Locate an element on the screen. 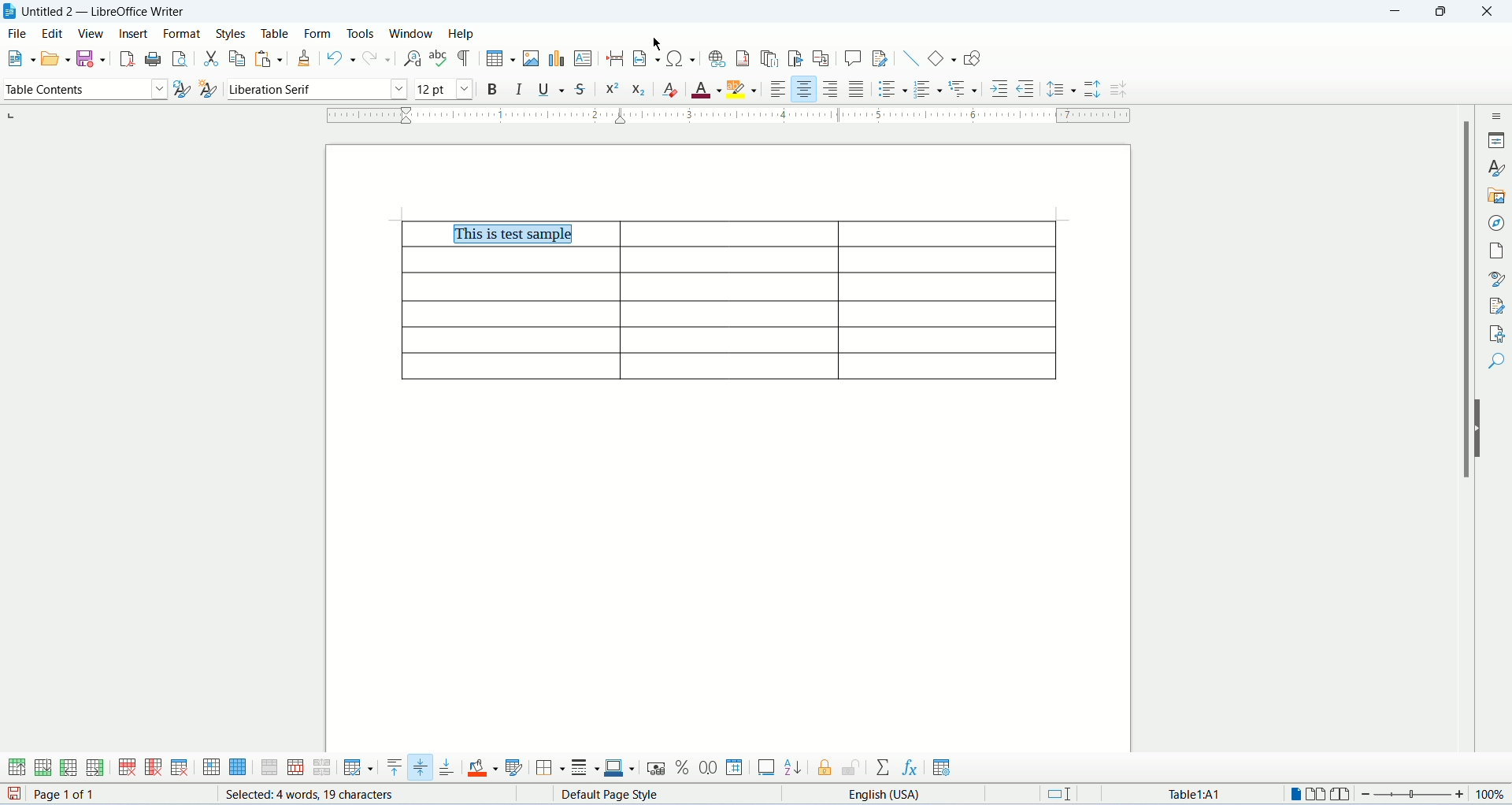 The width and height of the screenshot is (1512, 805). cursor is located at coordinates (660, 43).